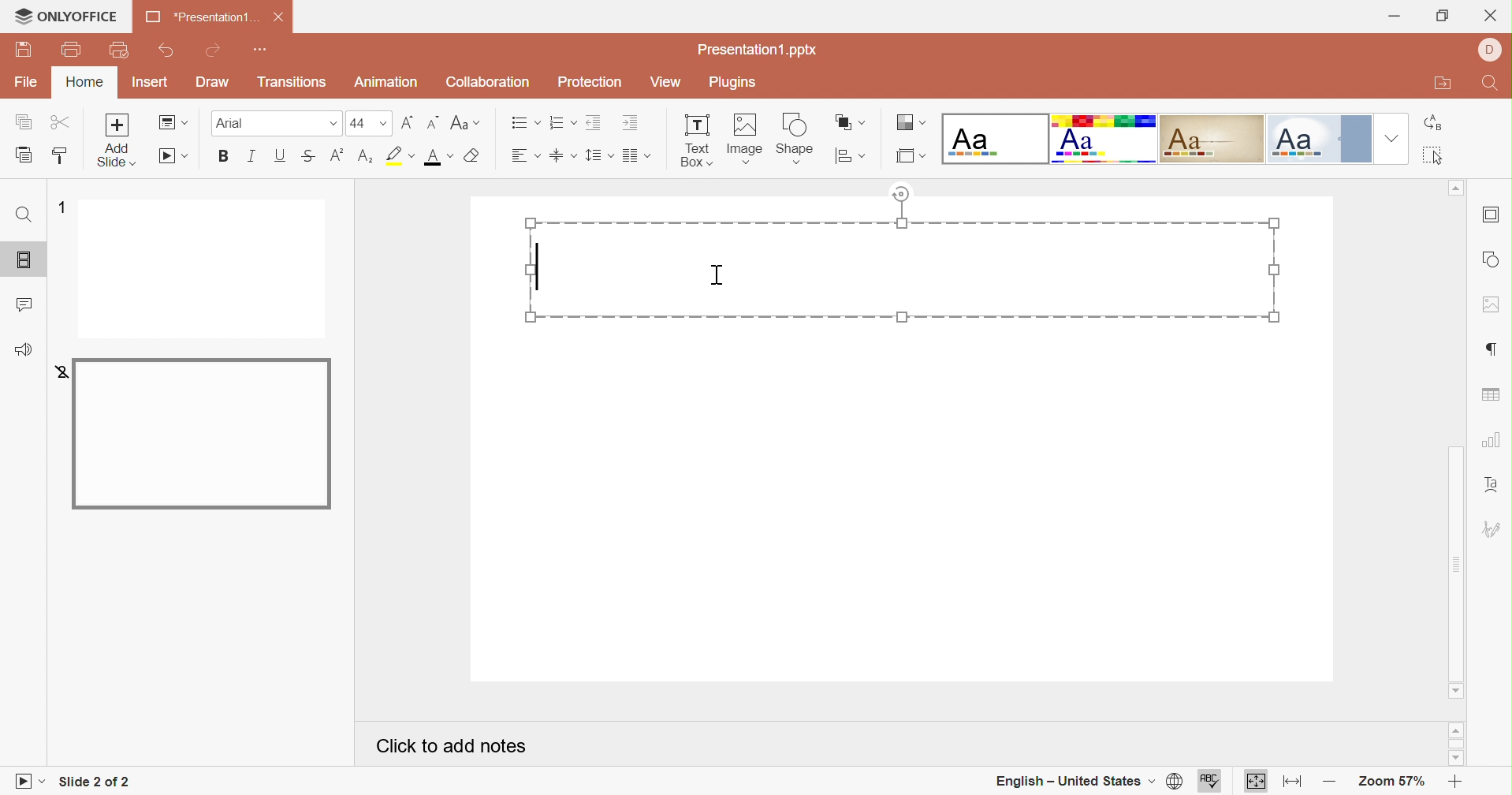  I want to click on Increase indent, so click(631, 125).